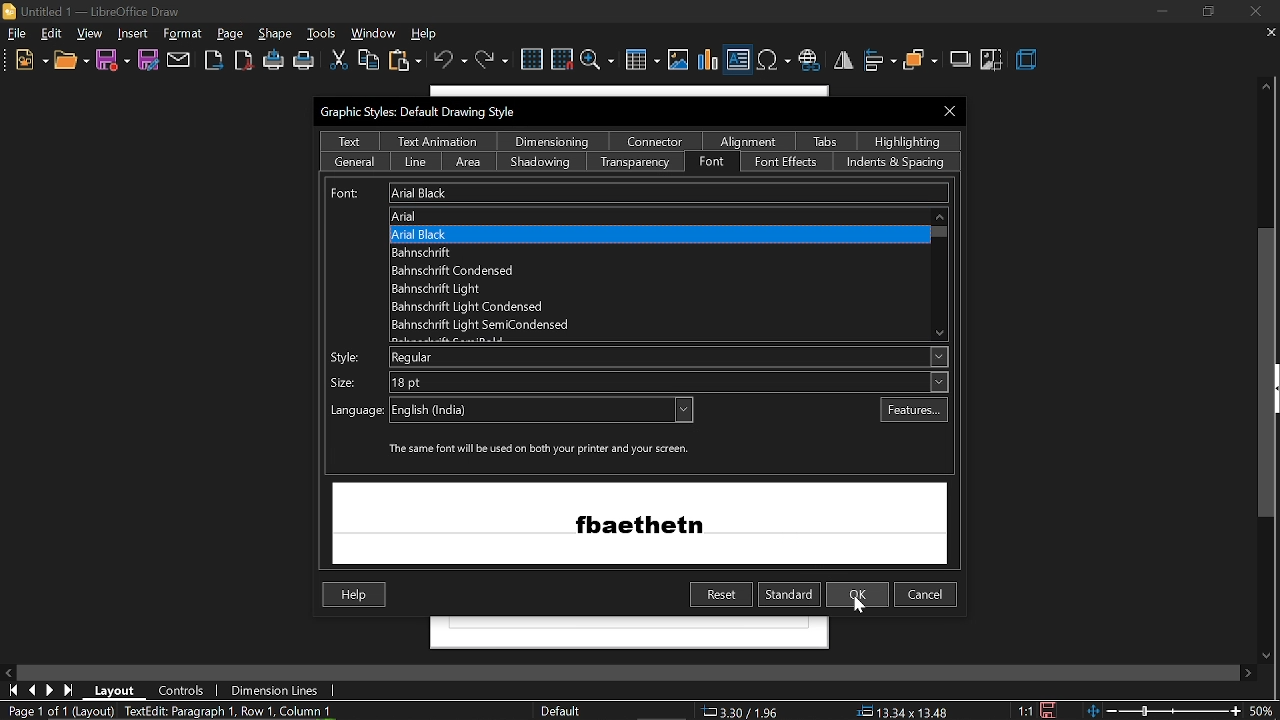 This screenshot has height=720, width=1280. Describe the element at coordinates (921, 62) in the screenshot. I see `arrange` at that location.